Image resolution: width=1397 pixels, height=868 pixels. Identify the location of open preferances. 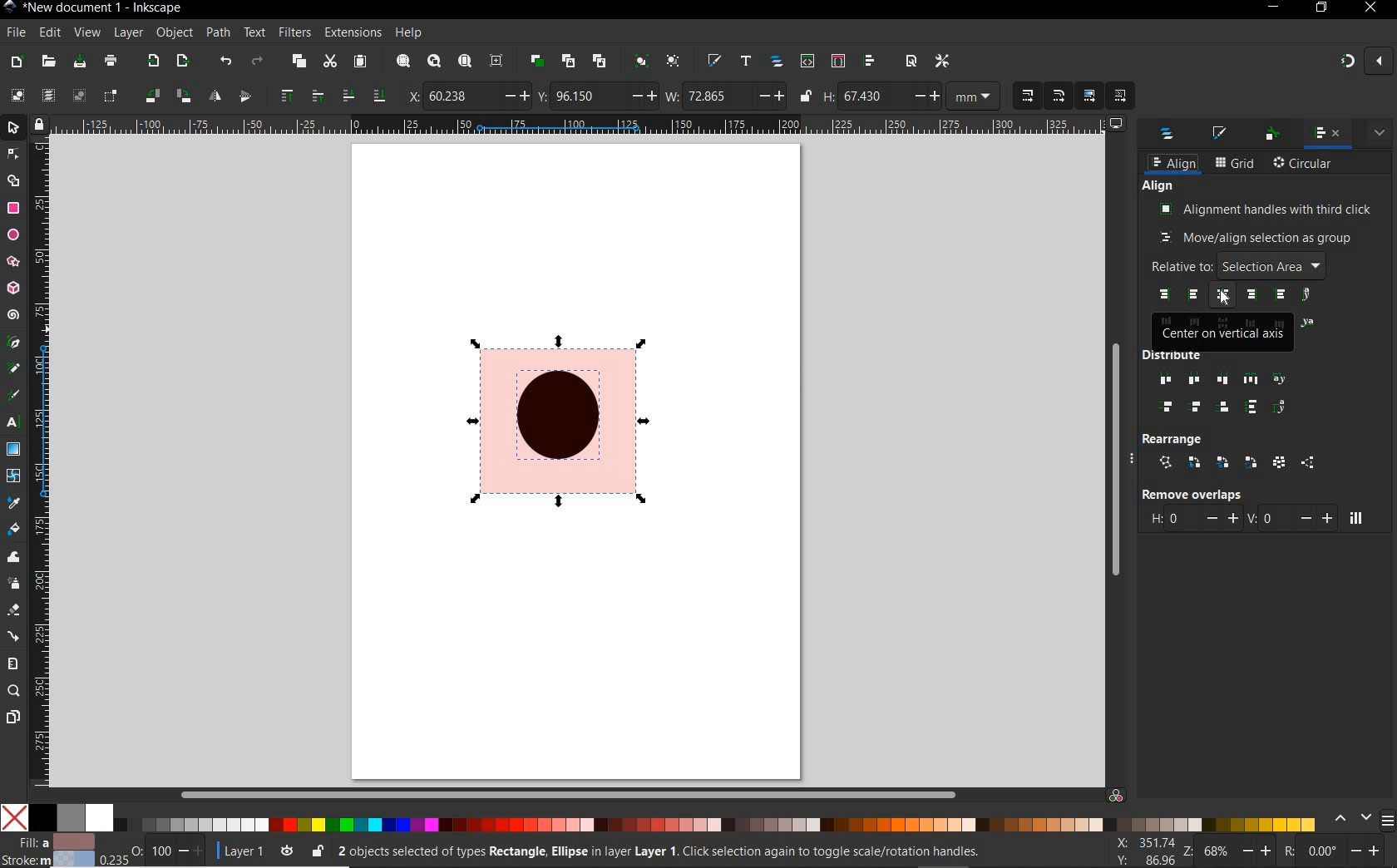
(942, 62).